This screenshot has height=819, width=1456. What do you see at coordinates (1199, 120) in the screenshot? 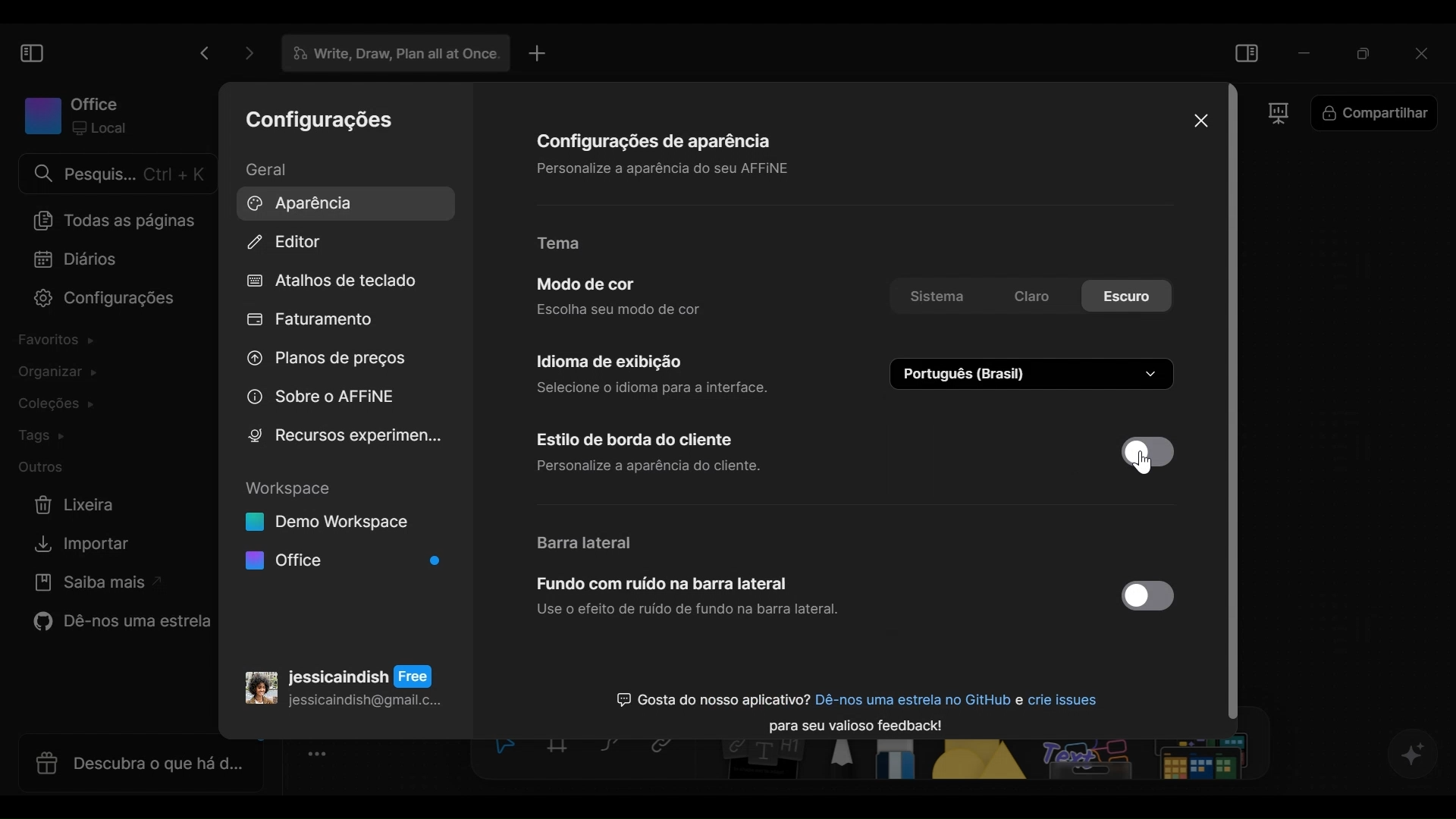
I see `Close` at bounding box center [1199, 120].